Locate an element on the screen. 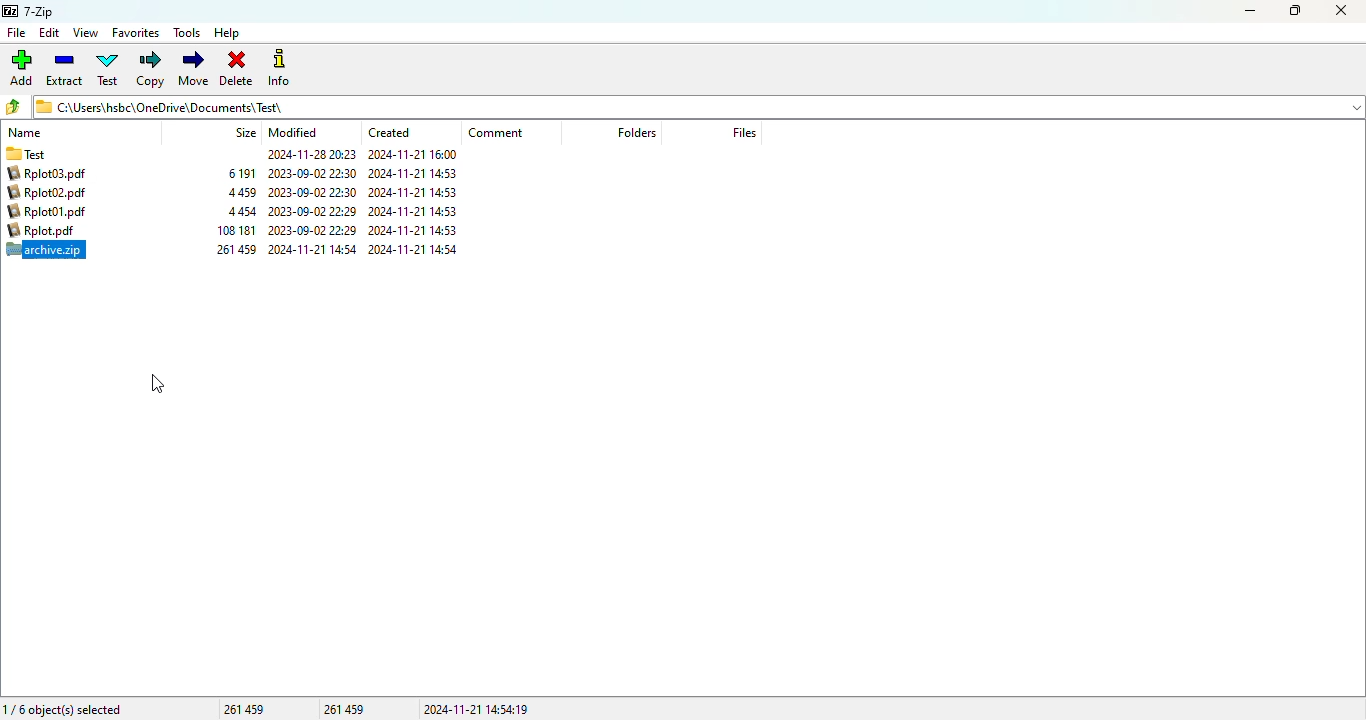 The width and height of the screenshot is (1366, 720). close is located at coordinates (1341, 11).